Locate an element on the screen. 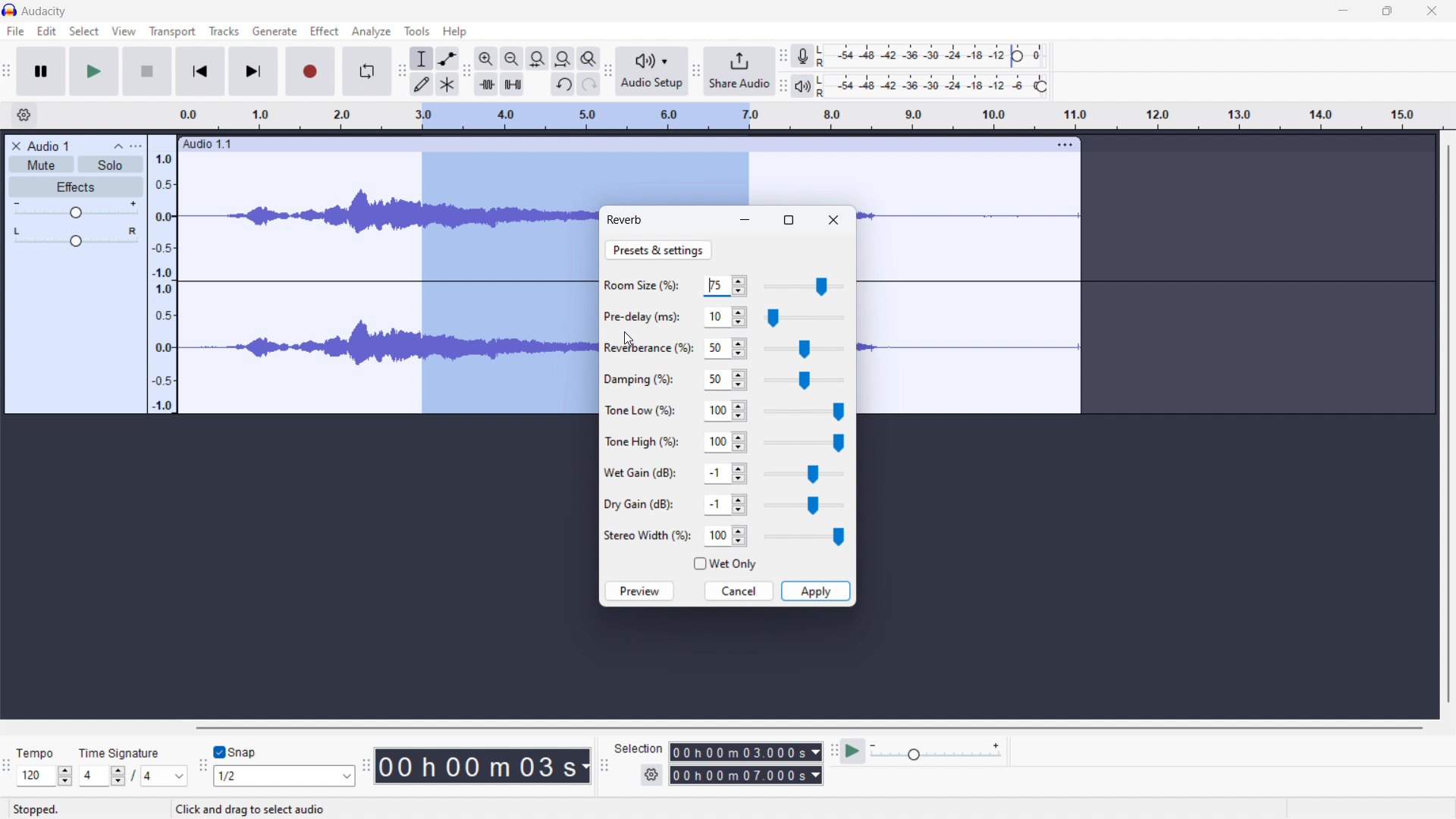 The width and height of the screenshot is (1456, 819). mute selection is located at coordinates (512, 83).